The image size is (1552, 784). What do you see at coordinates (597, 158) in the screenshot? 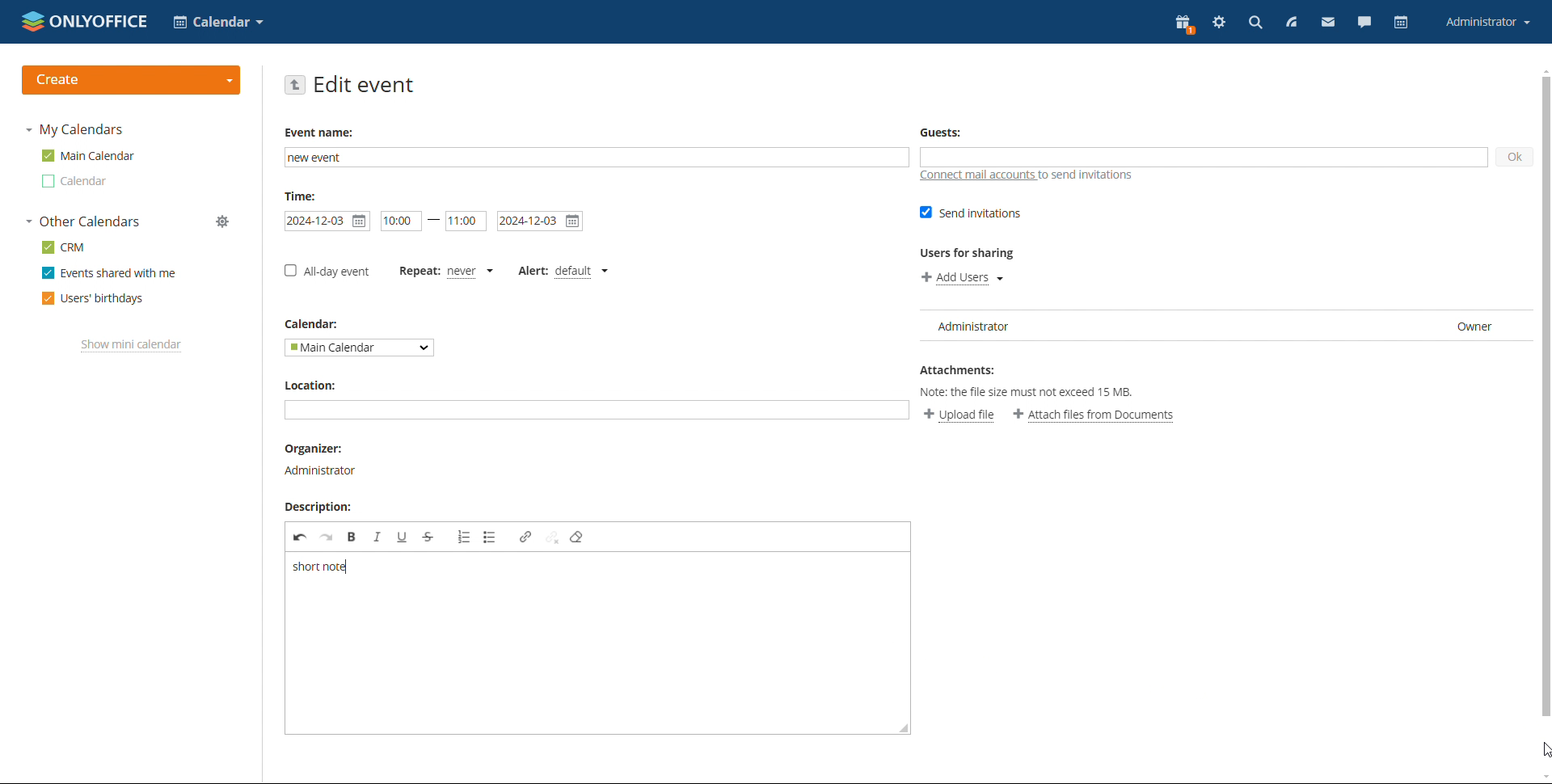
I see `add event name` at bounding box center [597, 158].